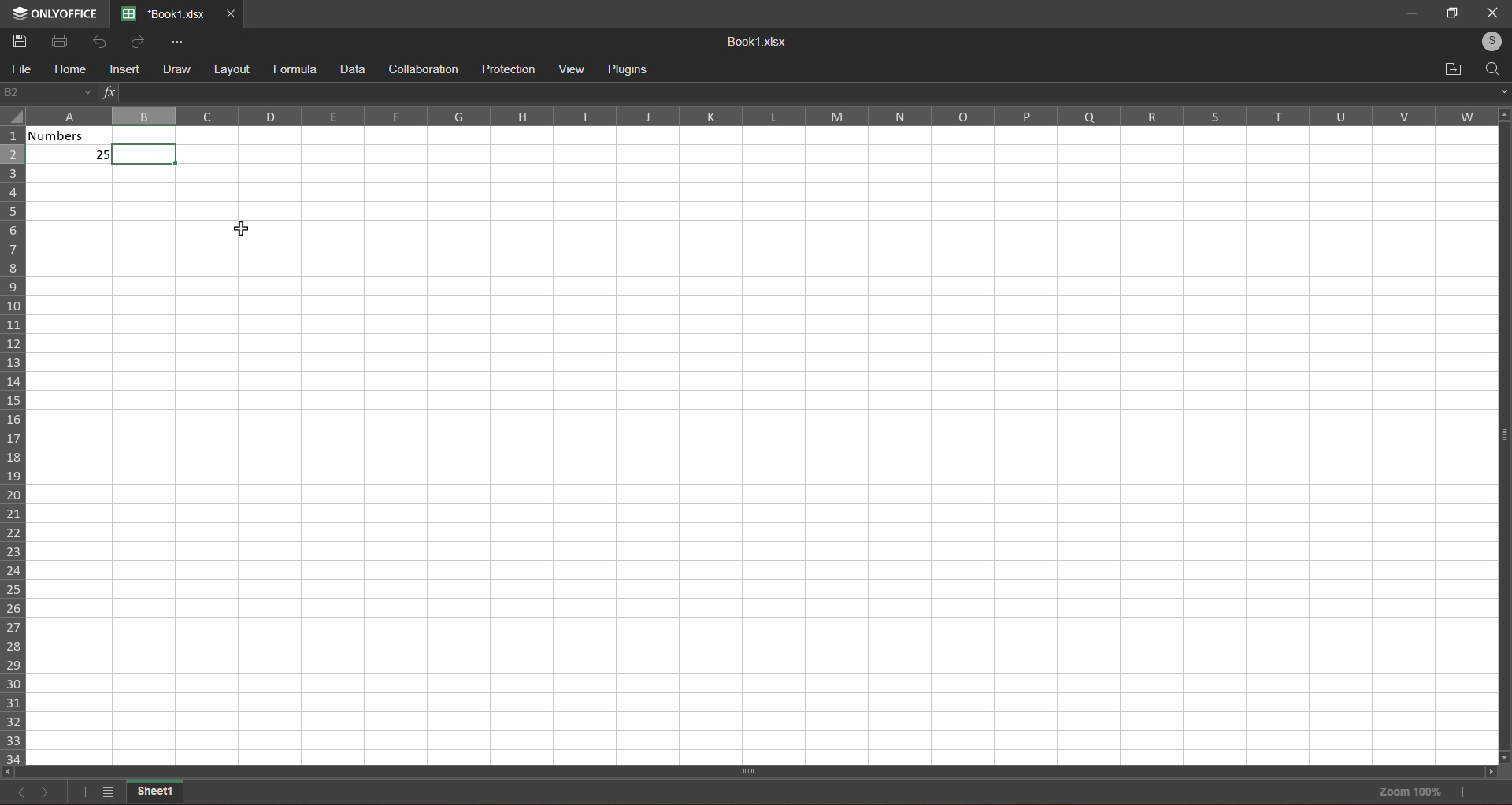  Describe the element at coordinates (243, 228) in the screenshot. I see `cursor` at that location.